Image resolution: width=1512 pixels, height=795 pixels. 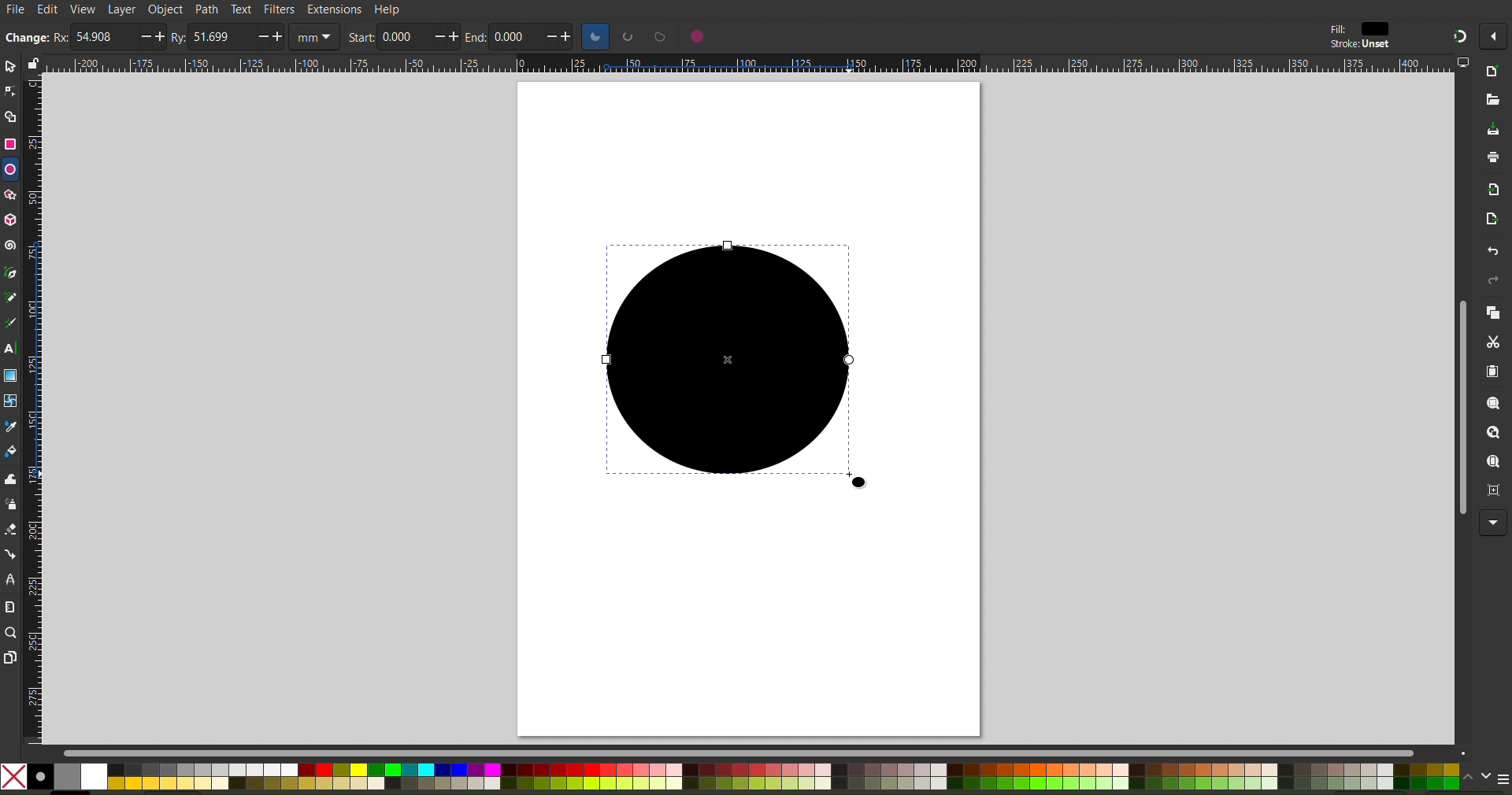 What do you see at coordinates (1493, 313) in the screenshot?
I see `Copy` at bounding box center [1493, 313].